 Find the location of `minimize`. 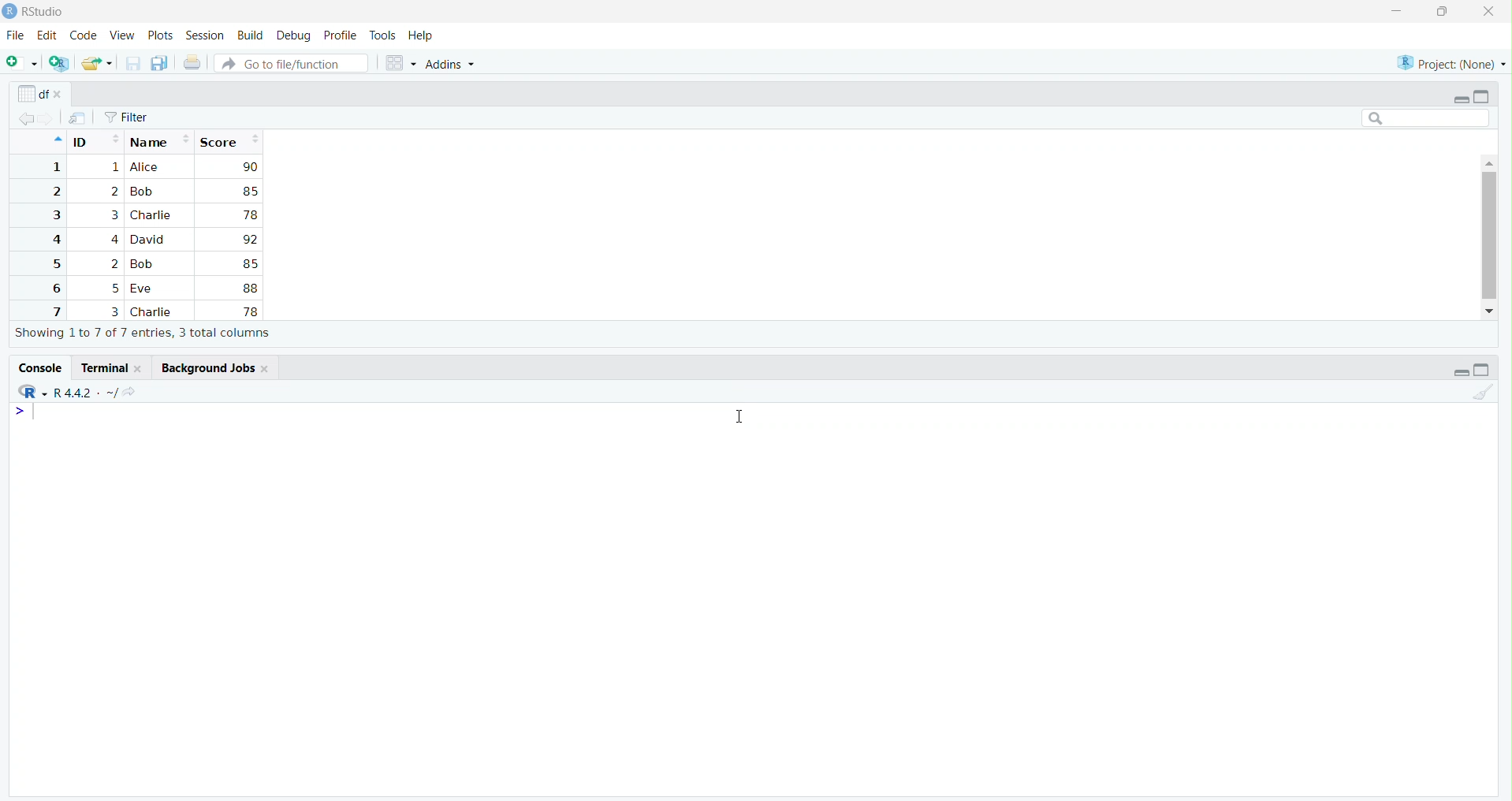

minimize is located at coordinates (1396, 13).